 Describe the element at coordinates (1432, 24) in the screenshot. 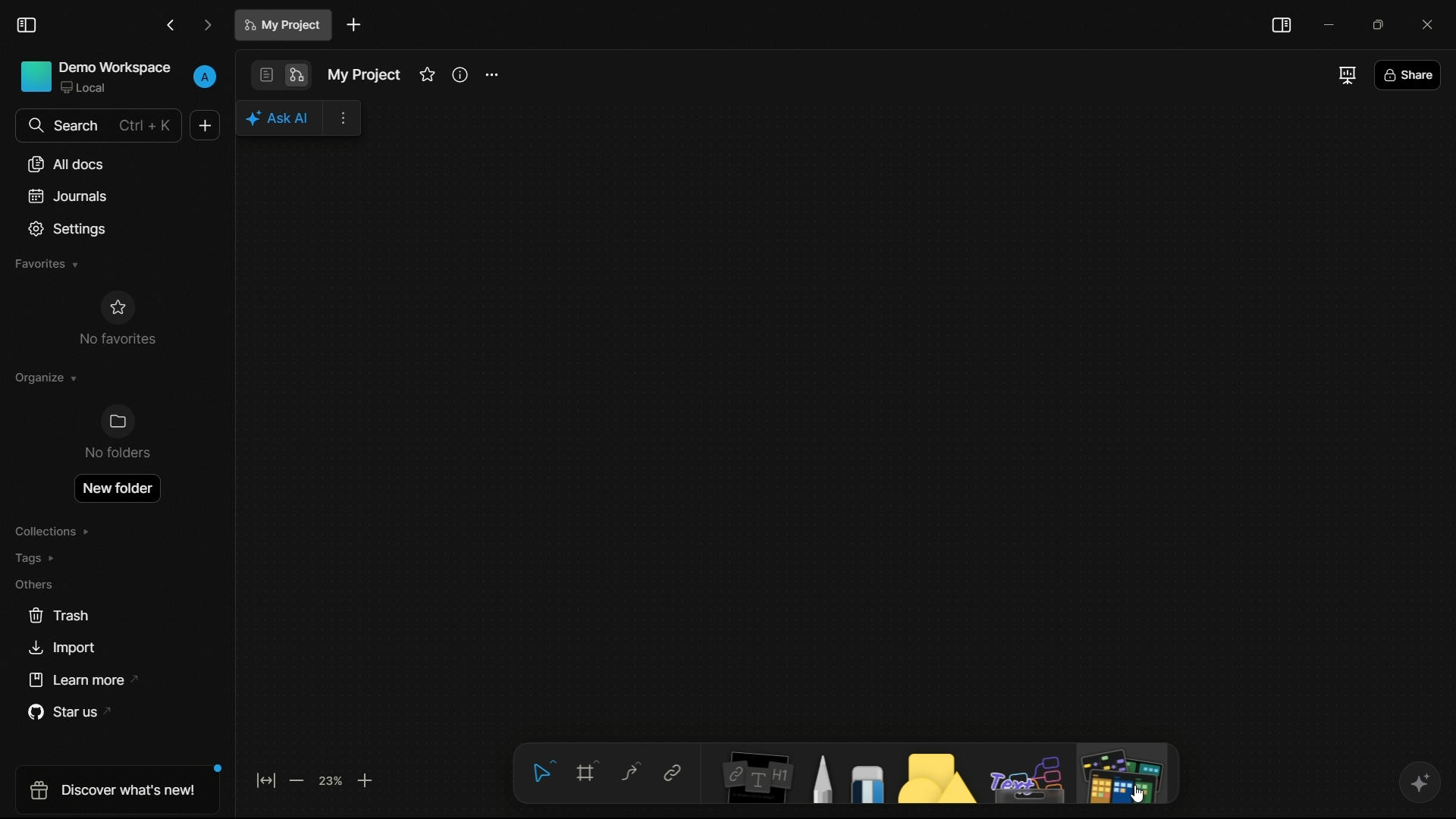

I see `close app` at that location.